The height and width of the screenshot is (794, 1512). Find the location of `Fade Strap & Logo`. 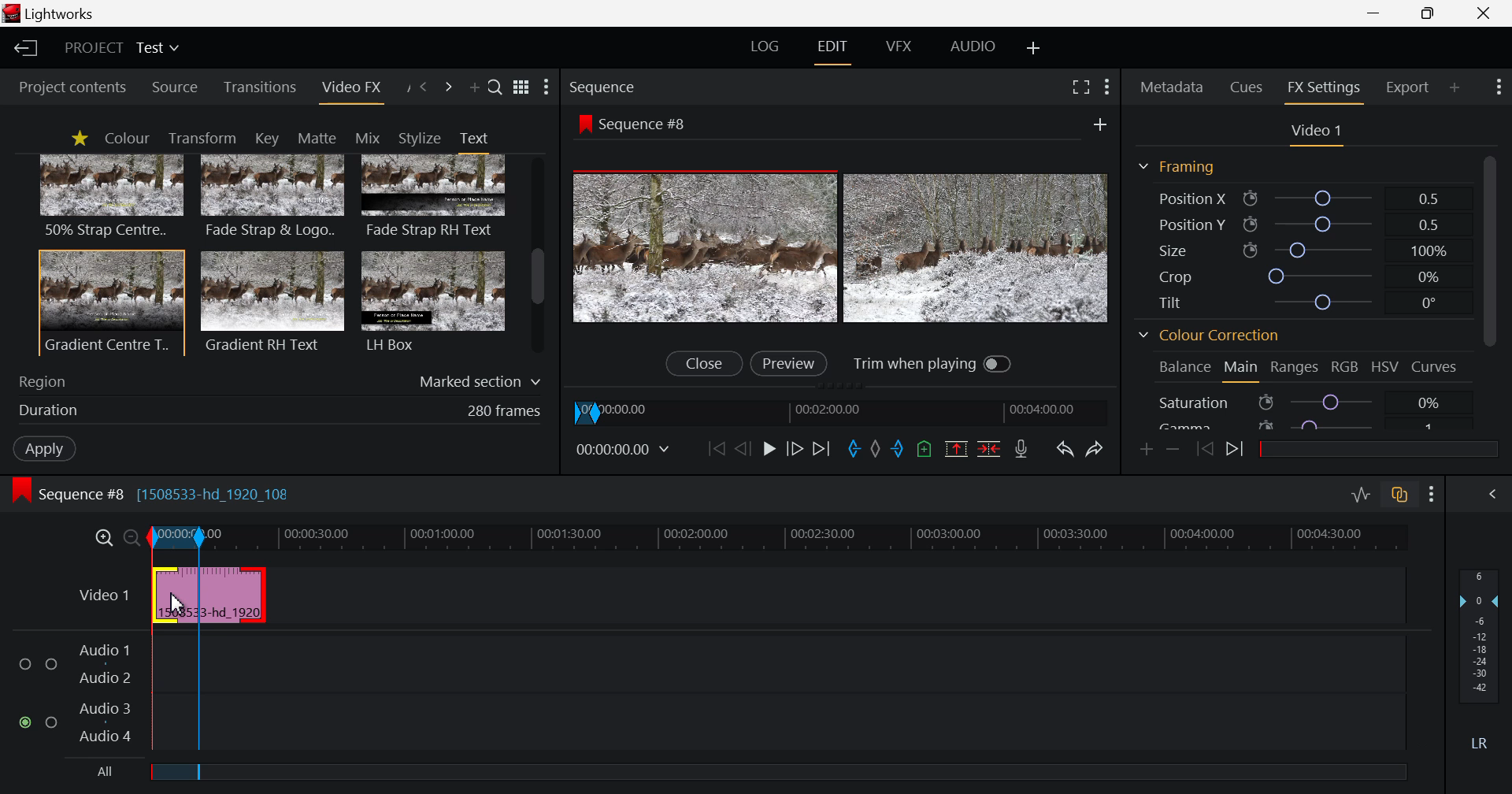

Fade Strap & Logo is located at coordinates (273, 198).